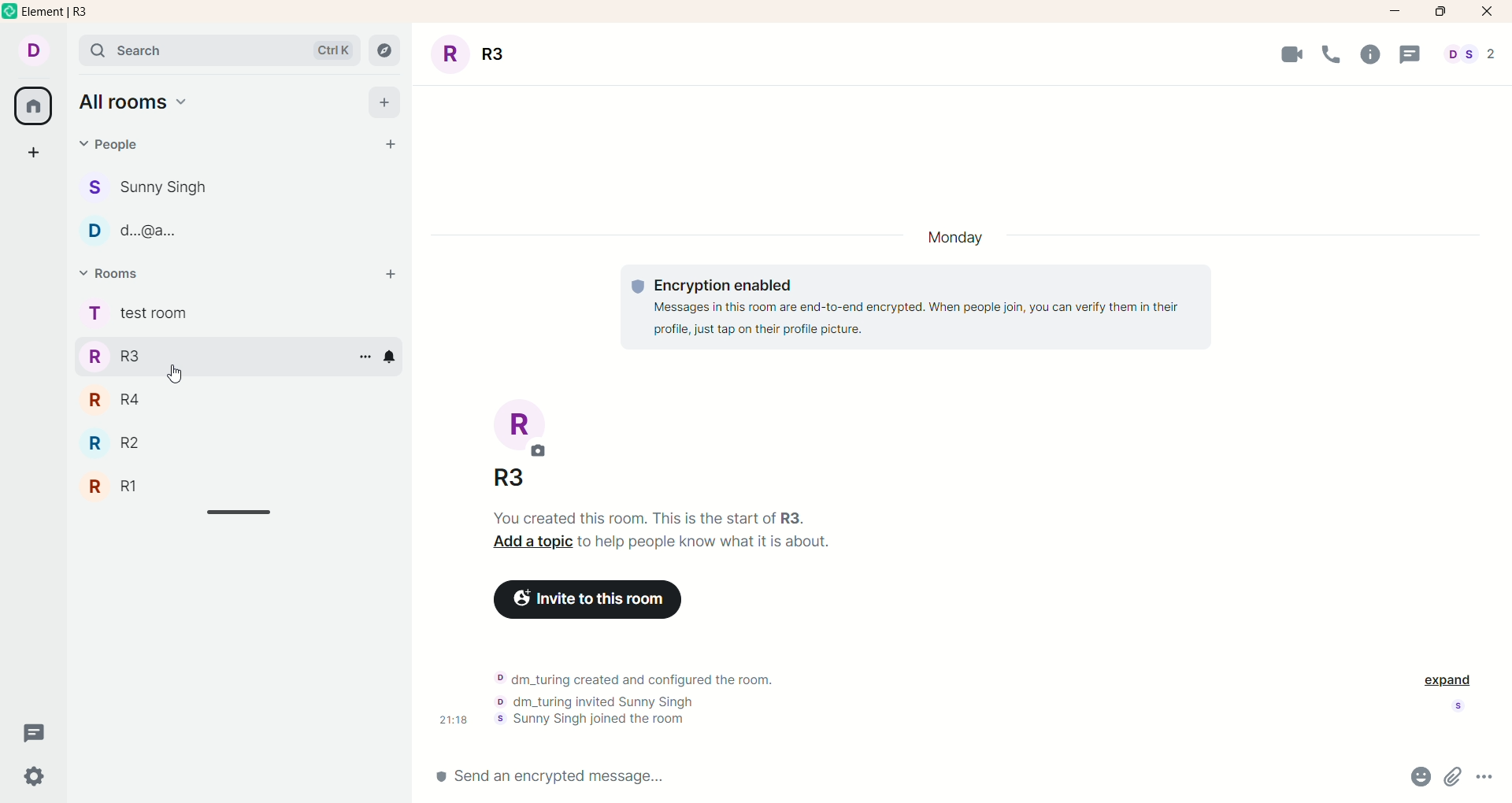  What do you see at coordinates (451, 722) in the screenshot?
I see `ime` at bounding box center [451, 722].